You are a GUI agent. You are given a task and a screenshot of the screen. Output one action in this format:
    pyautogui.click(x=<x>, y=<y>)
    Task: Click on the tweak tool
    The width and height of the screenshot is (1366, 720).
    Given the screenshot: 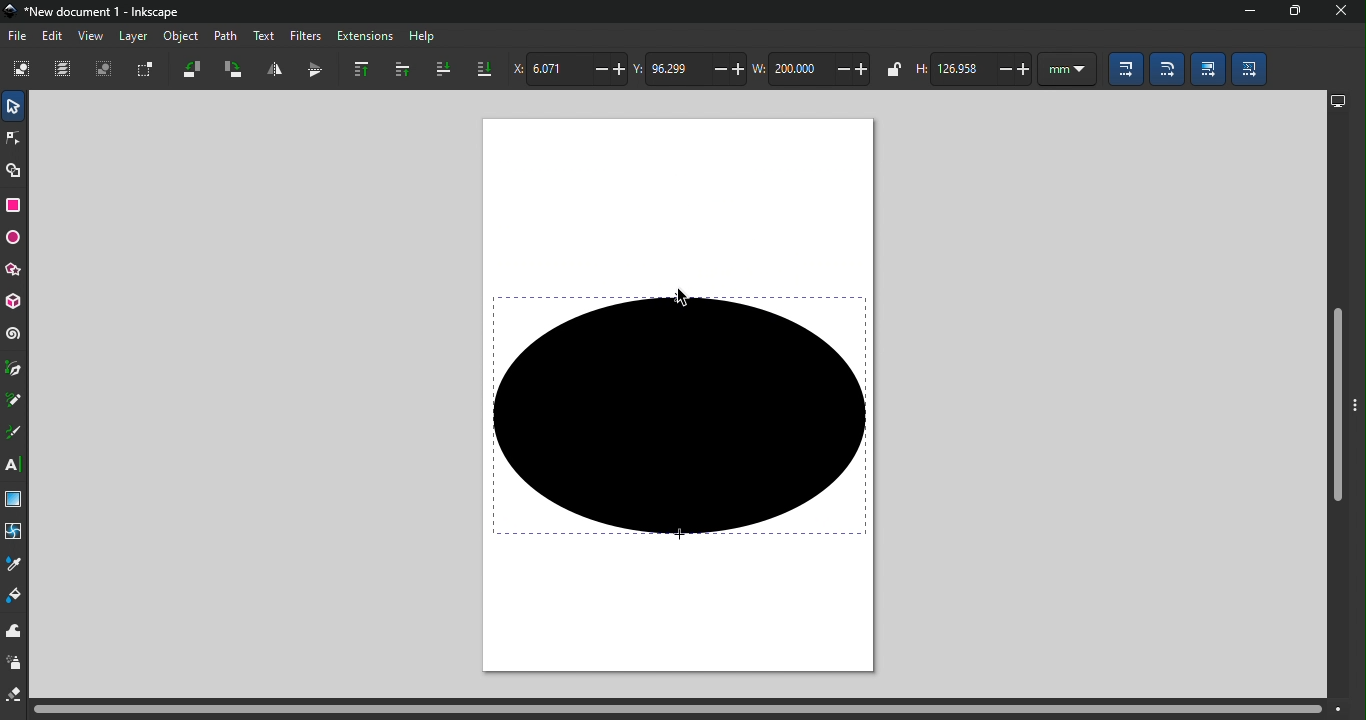 What is the action you would take?
    pyautogui.click(x=16, y=627)
    